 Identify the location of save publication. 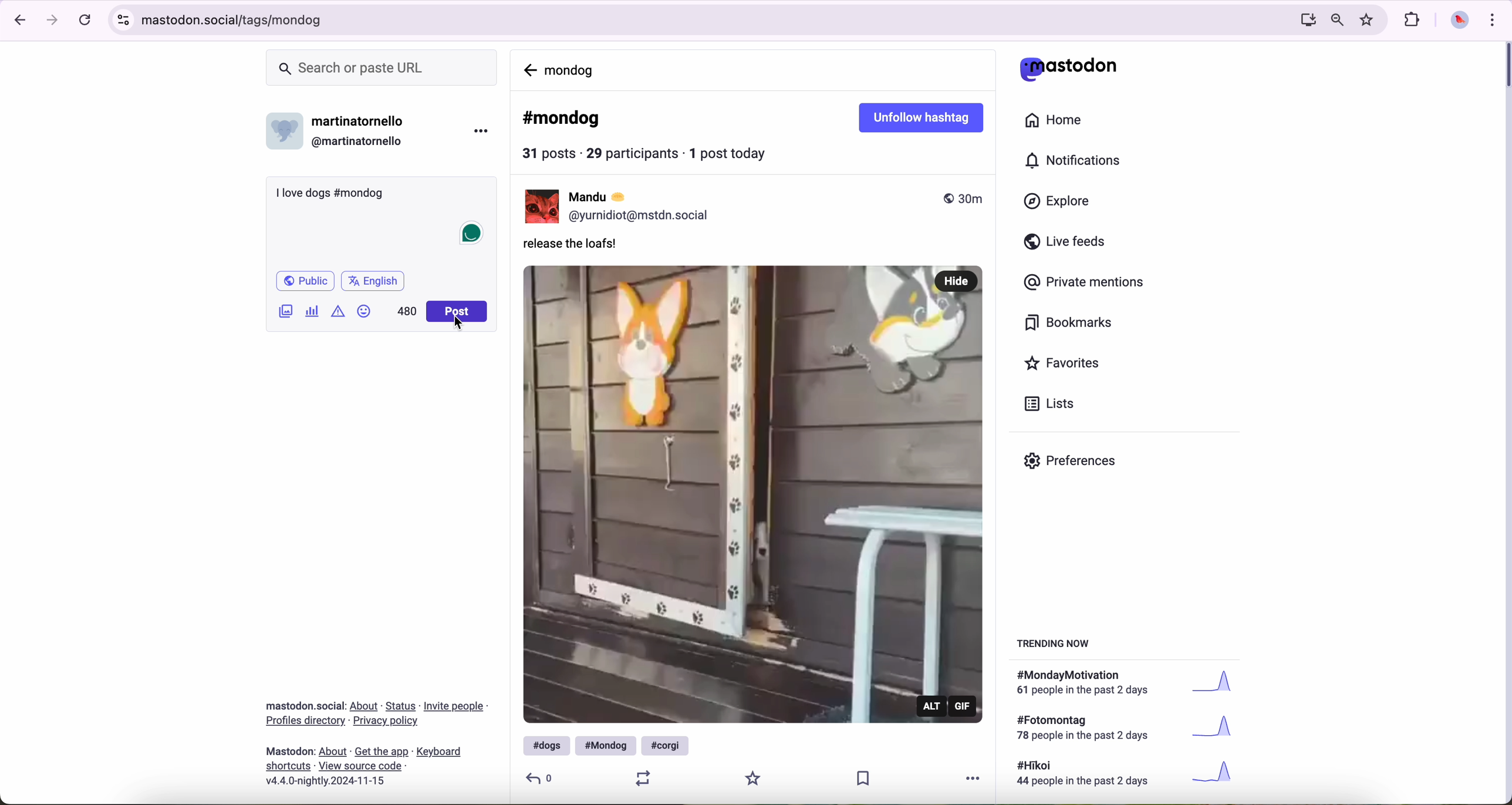
(868, 780).